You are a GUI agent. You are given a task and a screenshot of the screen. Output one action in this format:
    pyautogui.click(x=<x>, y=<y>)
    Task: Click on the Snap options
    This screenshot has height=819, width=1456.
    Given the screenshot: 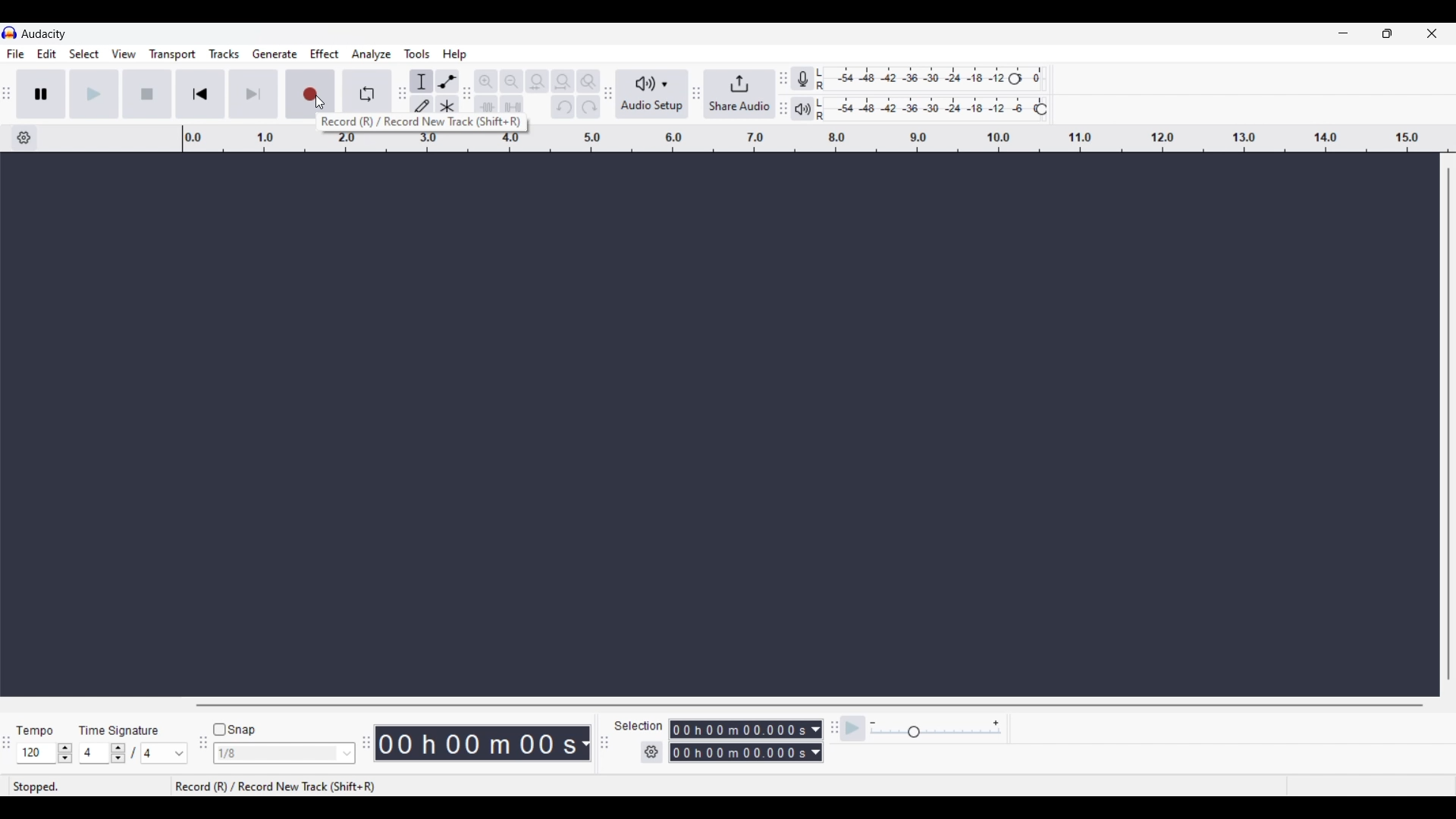 What is the action you would take?
    pyautogui.click(x=347, y=754)
    